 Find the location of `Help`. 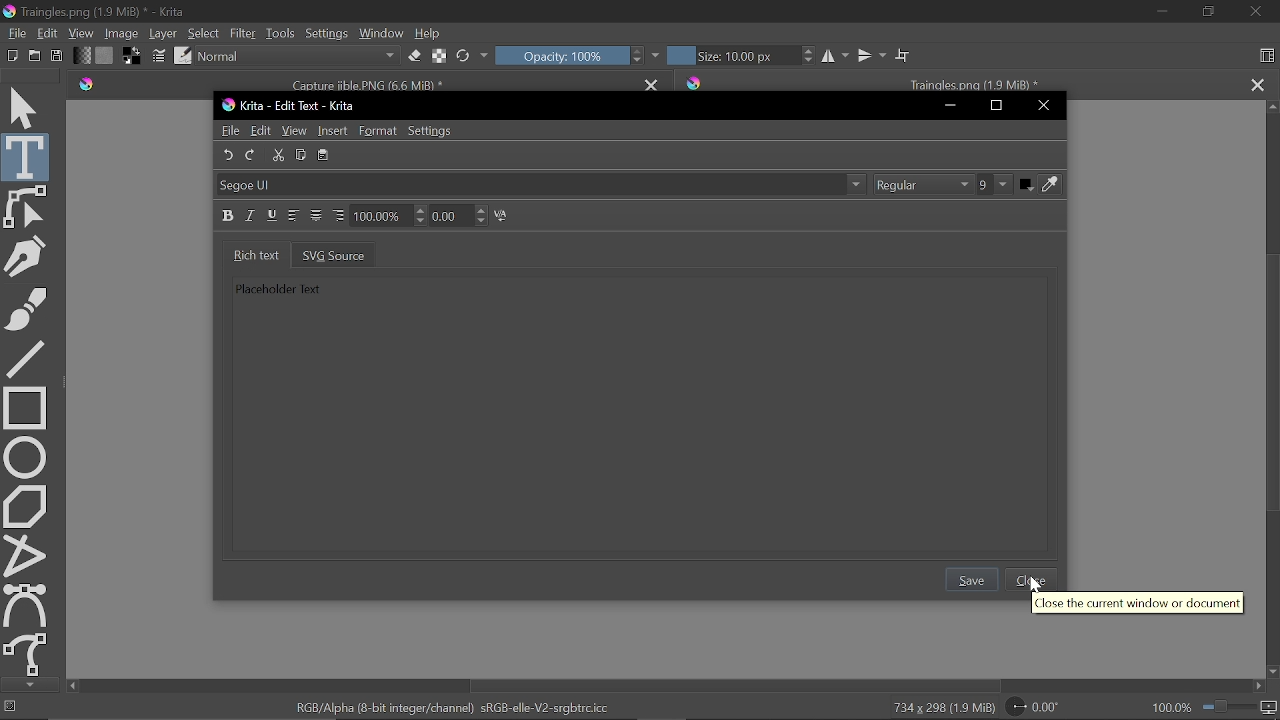

Help is located at coordinates (430, 35).